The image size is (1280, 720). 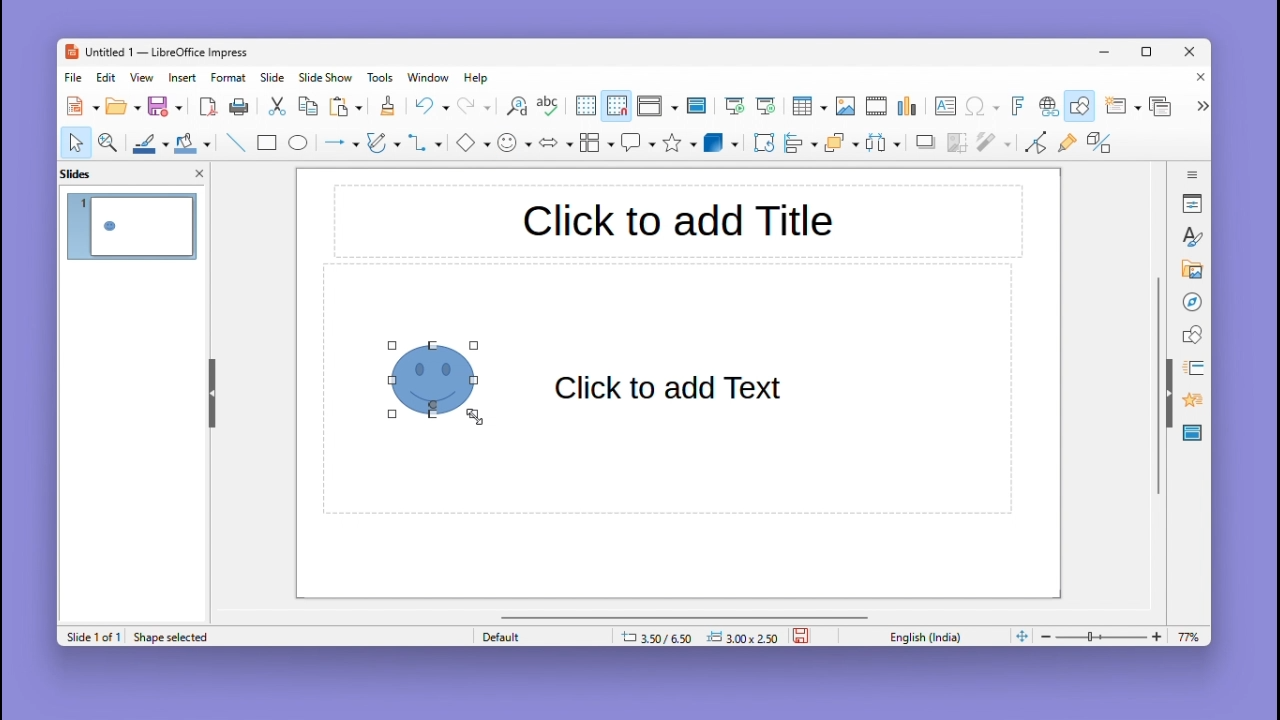 I want to click on cut, so click(x=278, y=107).